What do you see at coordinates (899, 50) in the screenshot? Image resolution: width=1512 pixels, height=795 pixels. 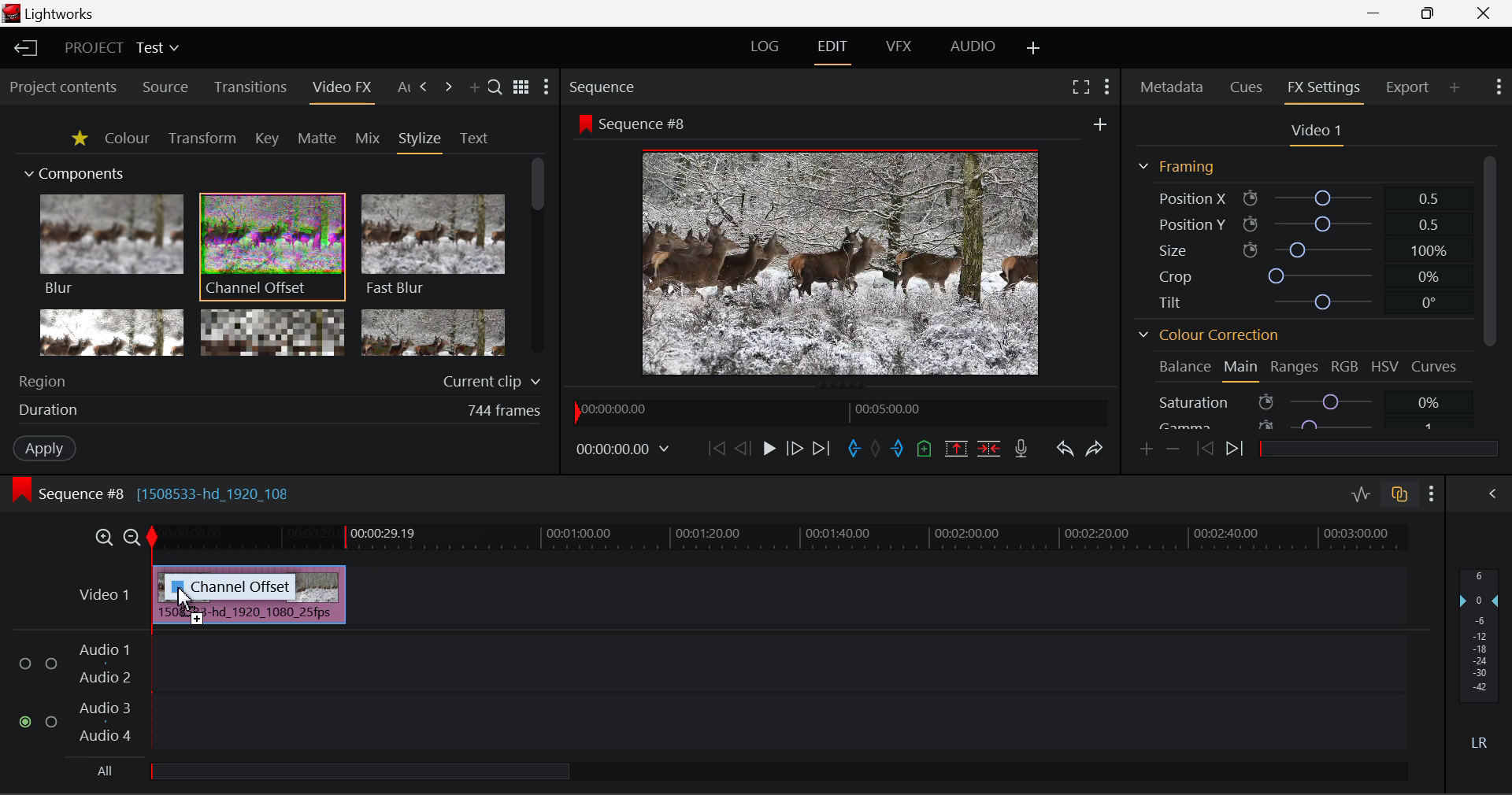 I see `VFX Layout` at bounding box center [899, 50].